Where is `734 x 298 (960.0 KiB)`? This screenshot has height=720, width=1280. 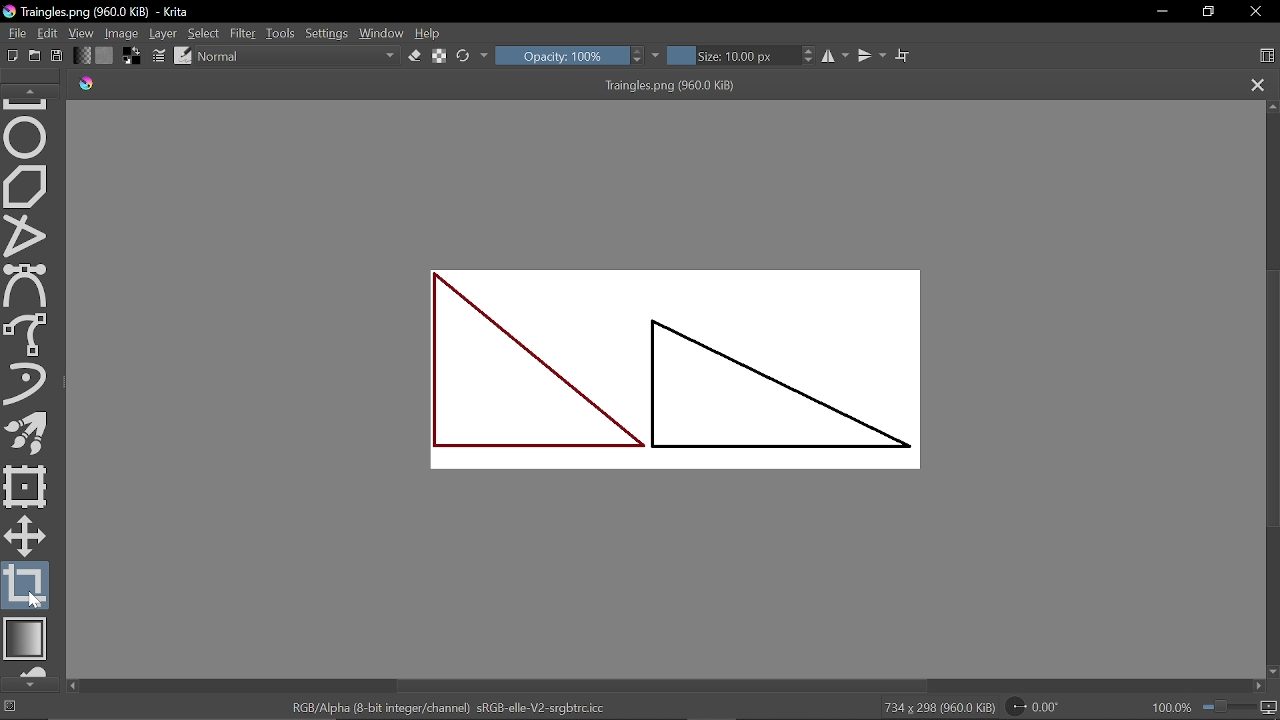
734 x 298 (960.0 KiB) is located at coordinates (938, 708).